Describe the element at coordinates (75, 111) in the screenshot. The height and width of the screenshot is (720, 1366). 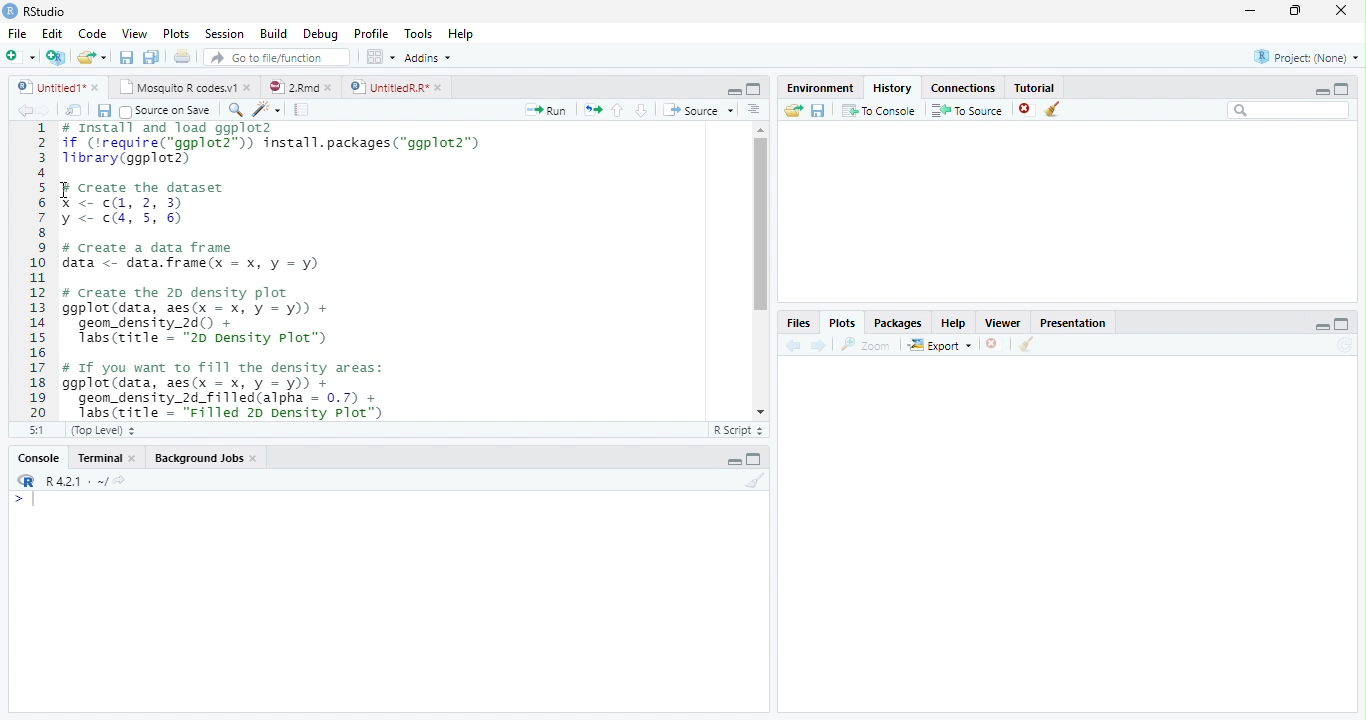
I see `show in window` at that location.